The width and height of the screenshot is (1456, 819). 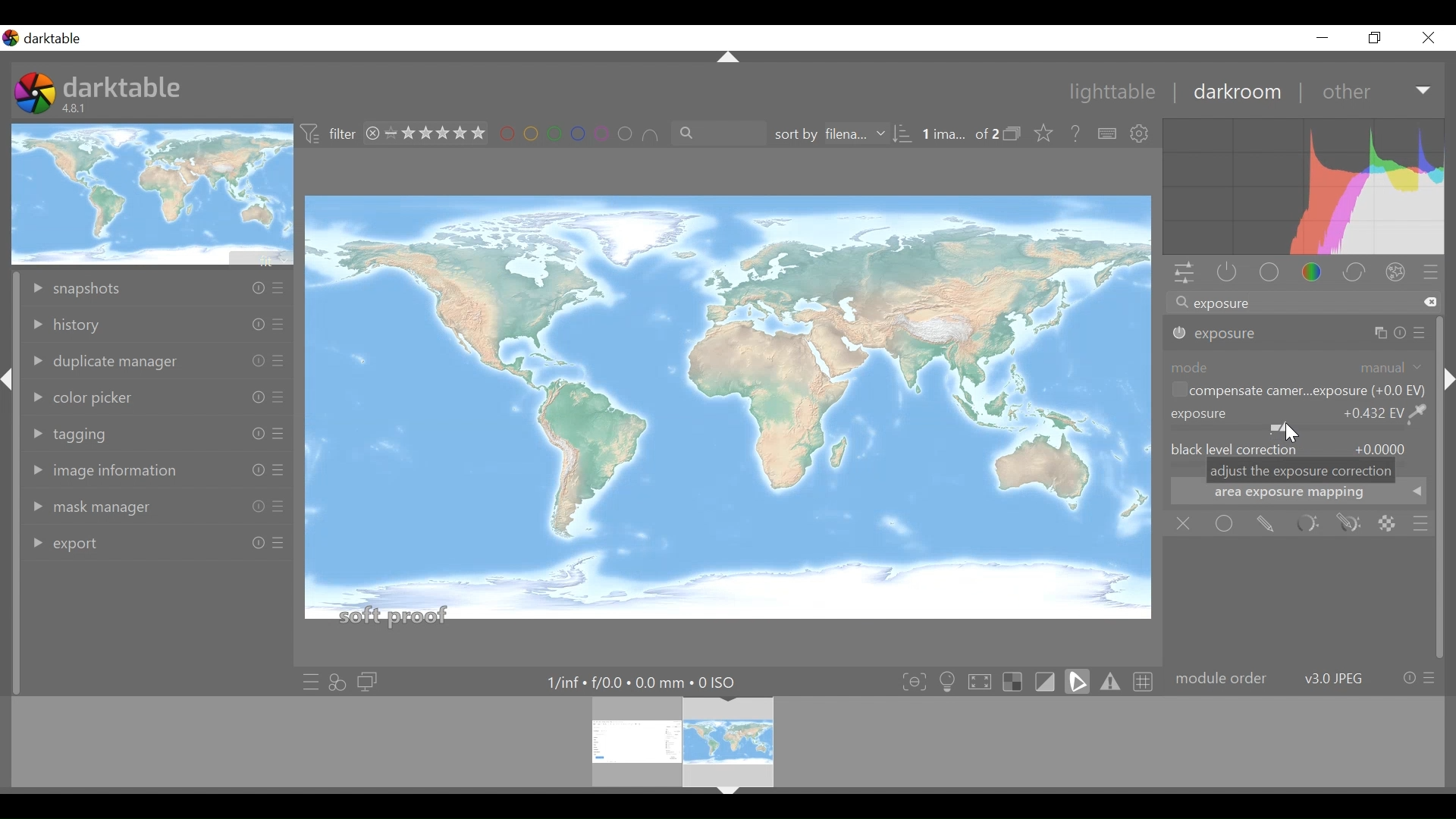 What do you see at coordinates (249, 325) in the screenshot?
I see `` at bounding box center [249, 325].